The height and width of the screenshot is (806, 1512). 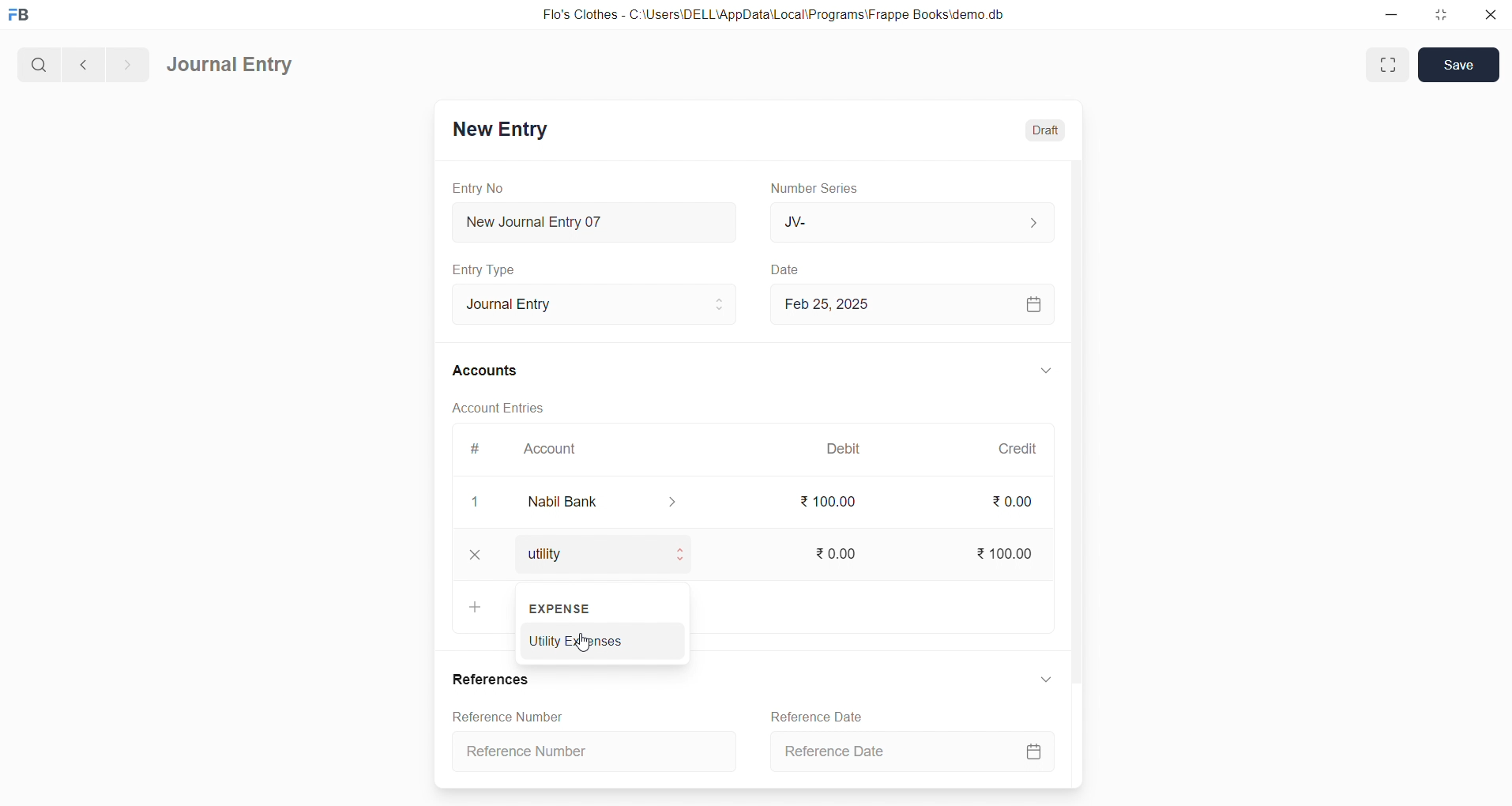 I want to click on Draft, so click(x=1042, y=127).